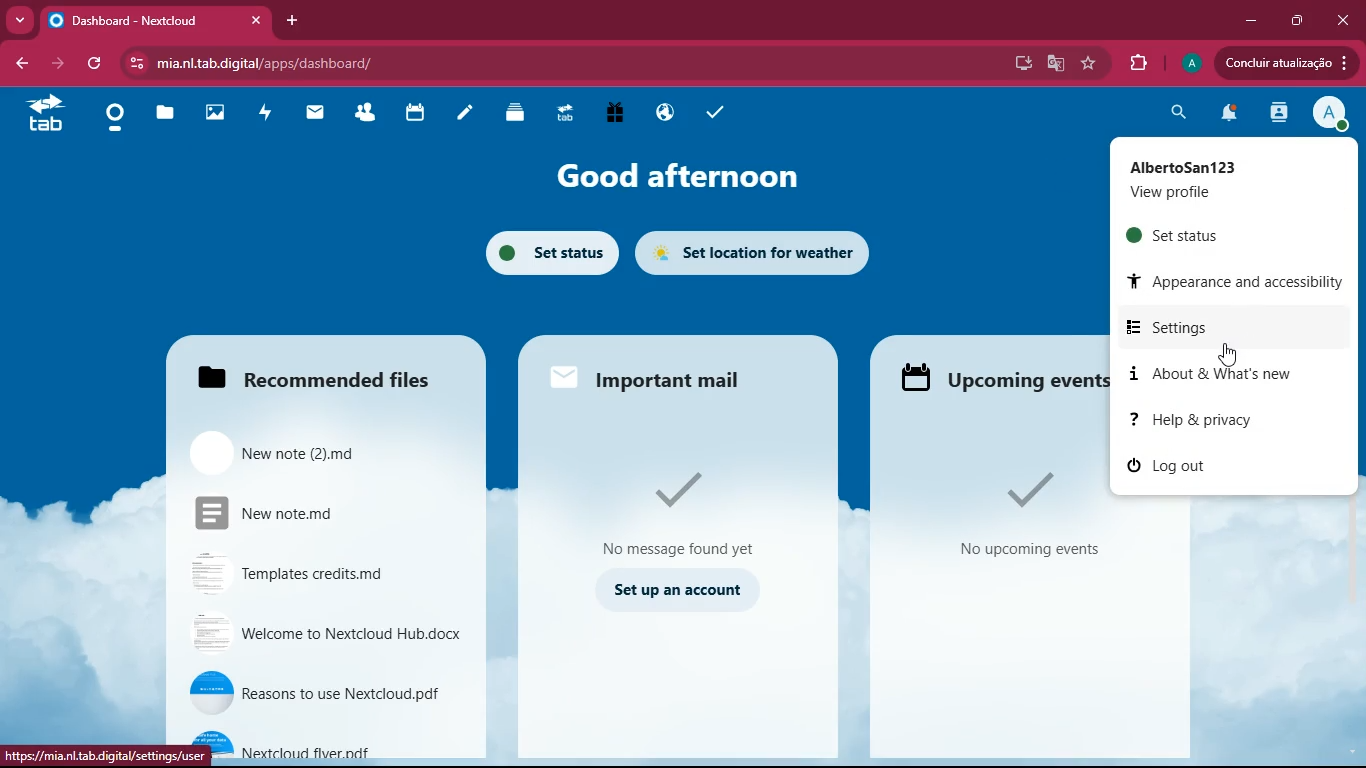  I want to click on gift, so click(609, 115).